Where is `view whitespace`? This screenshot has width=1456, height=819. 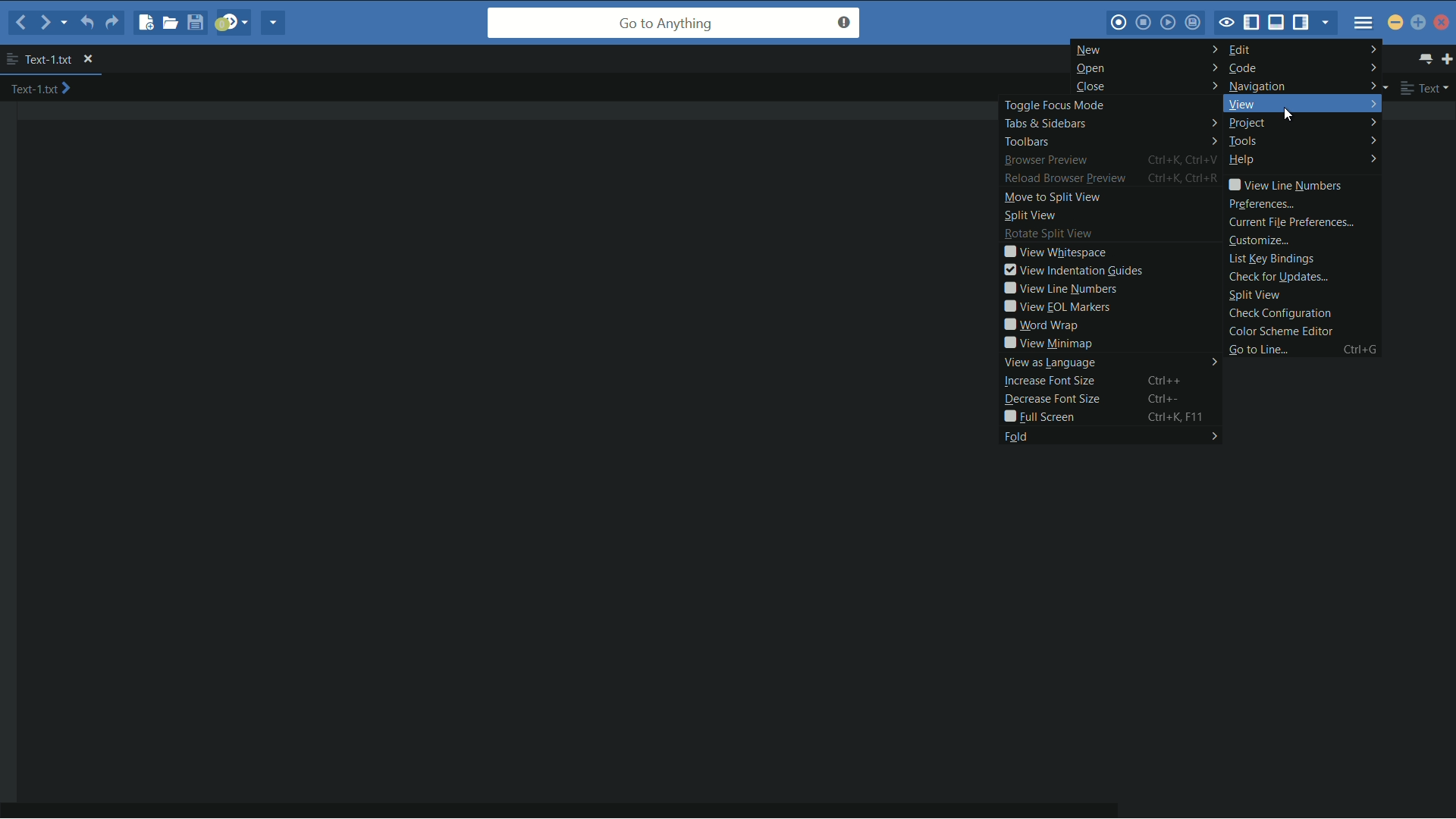 view whitespace is located at coordinates (1055, 253).